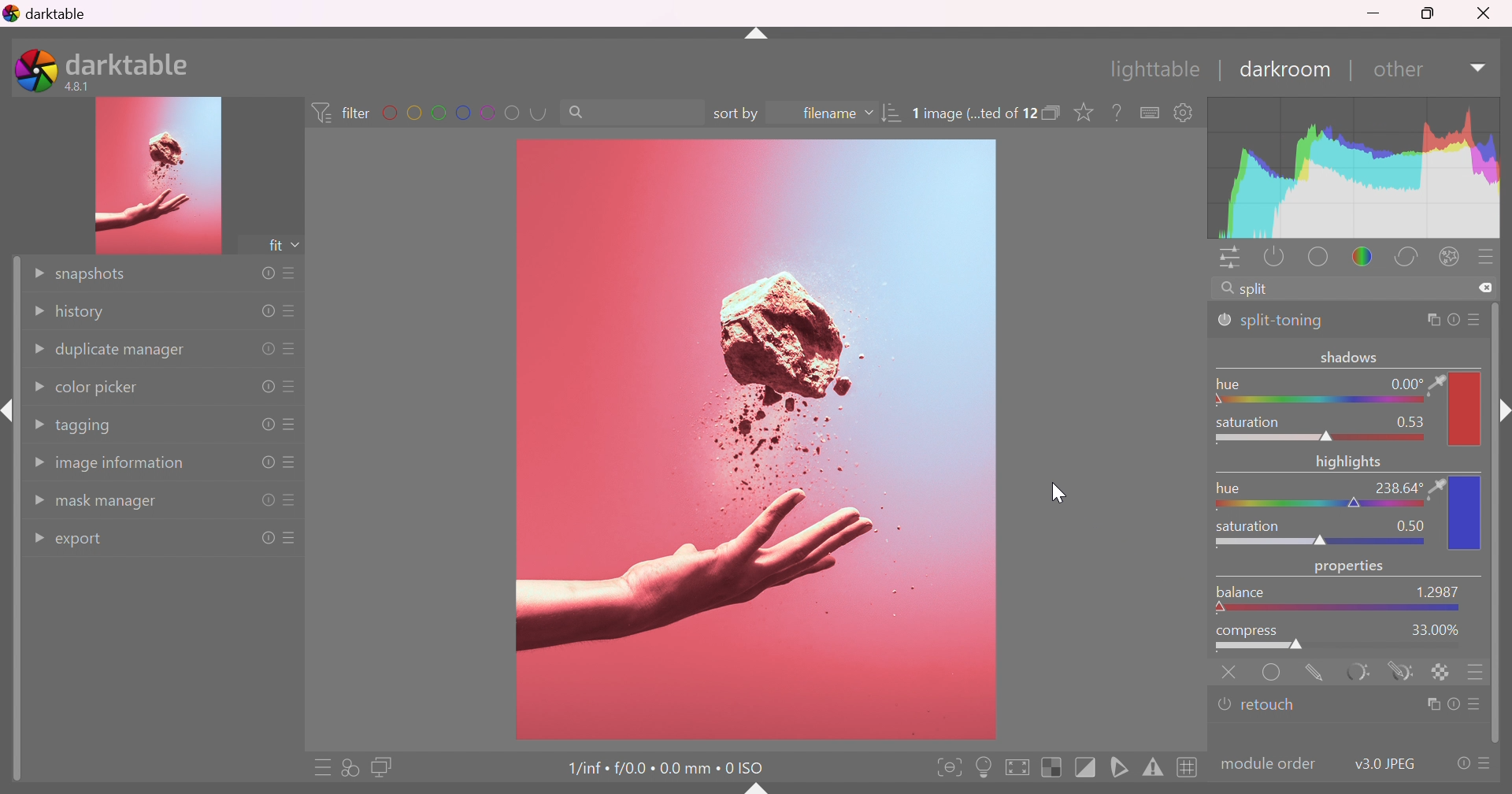 The width and height of the screenshot is (1512, 794). Describe the element at coordinates (1184, 114) in the screenshot. I see `show global preferences` at that location.